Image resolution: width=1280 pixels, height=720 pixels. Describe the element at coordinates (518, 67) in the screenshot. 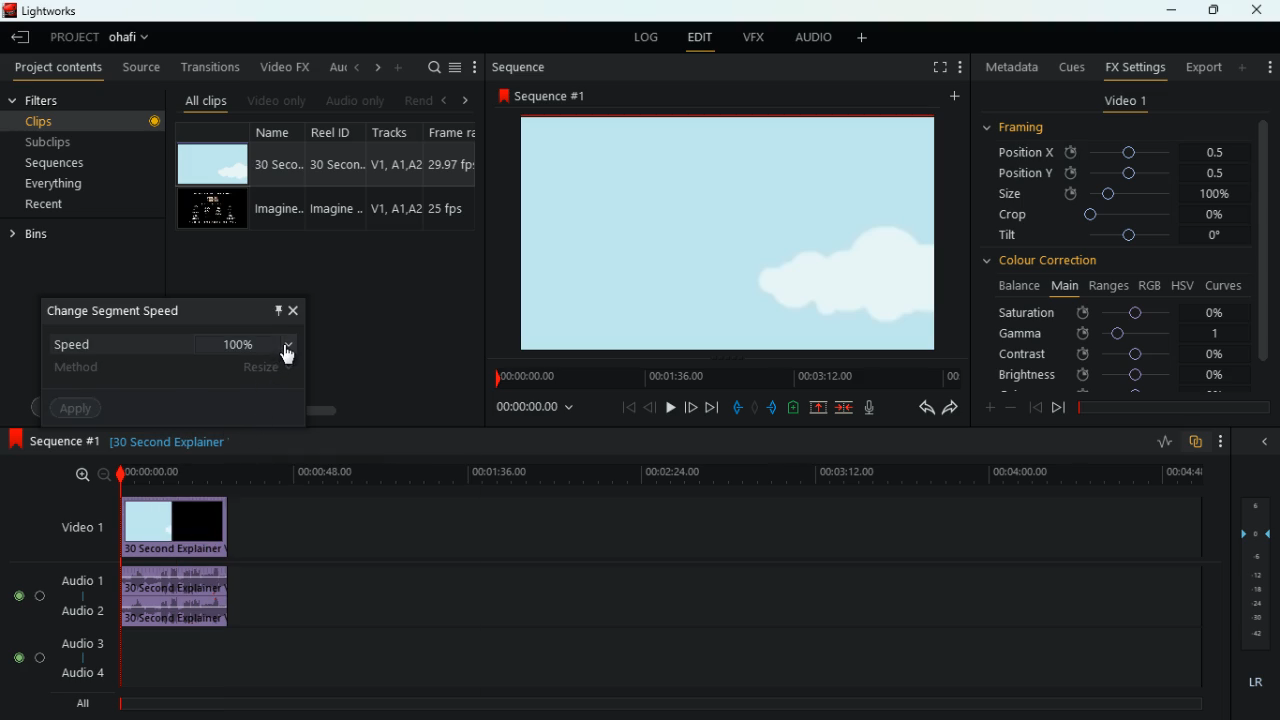

I see `sequence` at that location.